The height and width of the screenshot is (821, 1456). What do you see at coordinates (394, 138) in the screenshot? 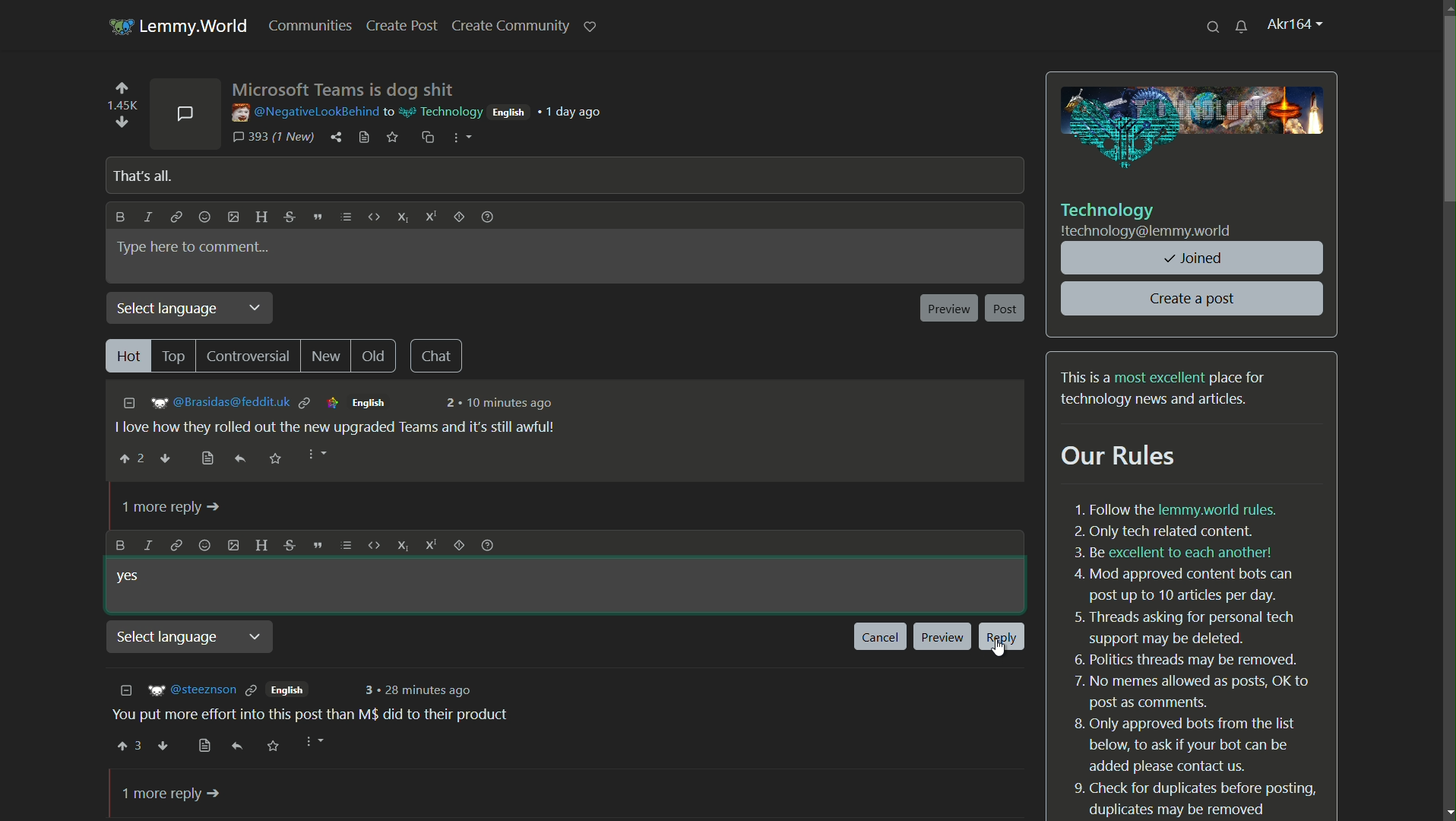
I see `save` at bounding box center [394, 138].